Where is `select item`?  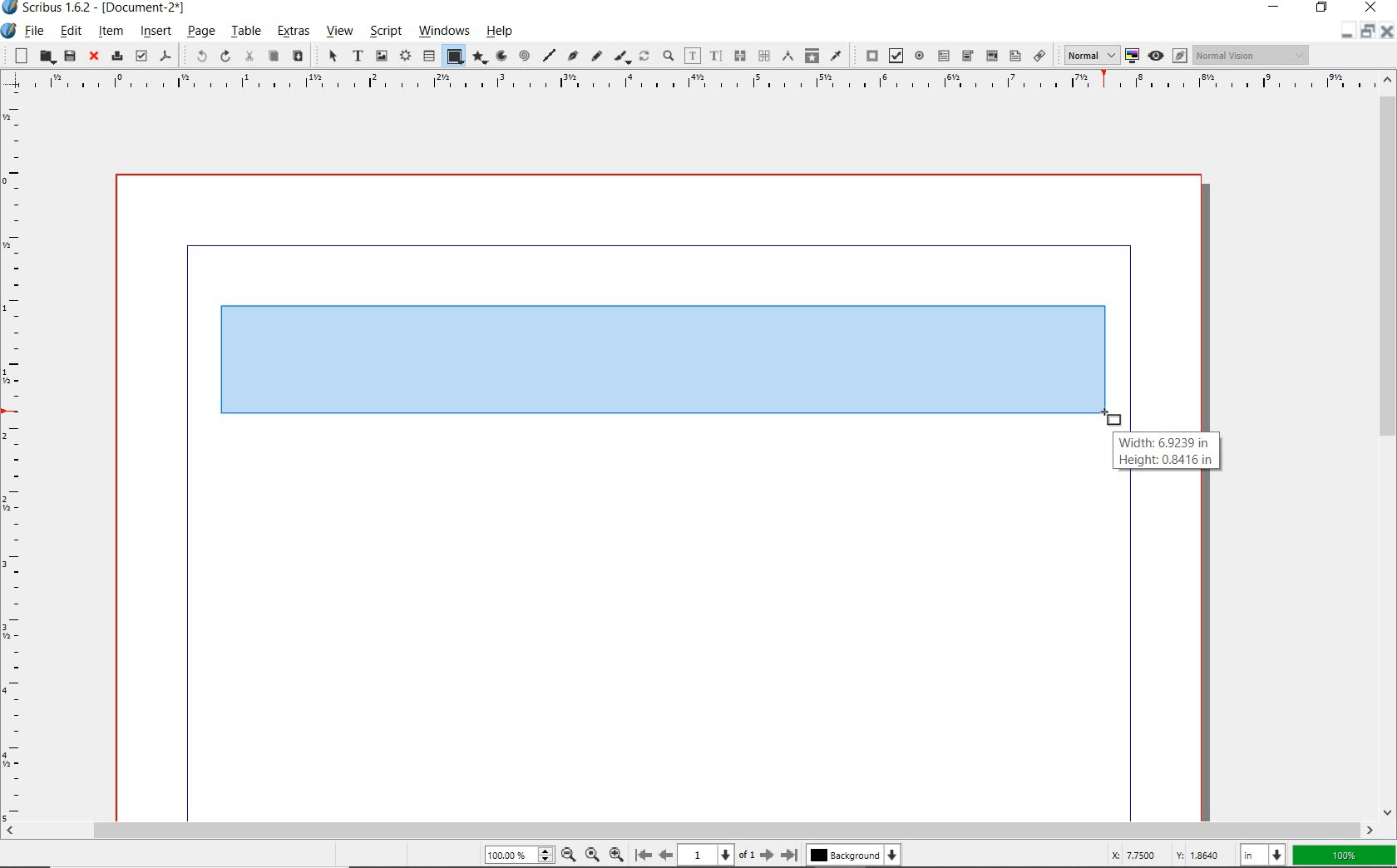 select item is located at coordinates (332, 55).